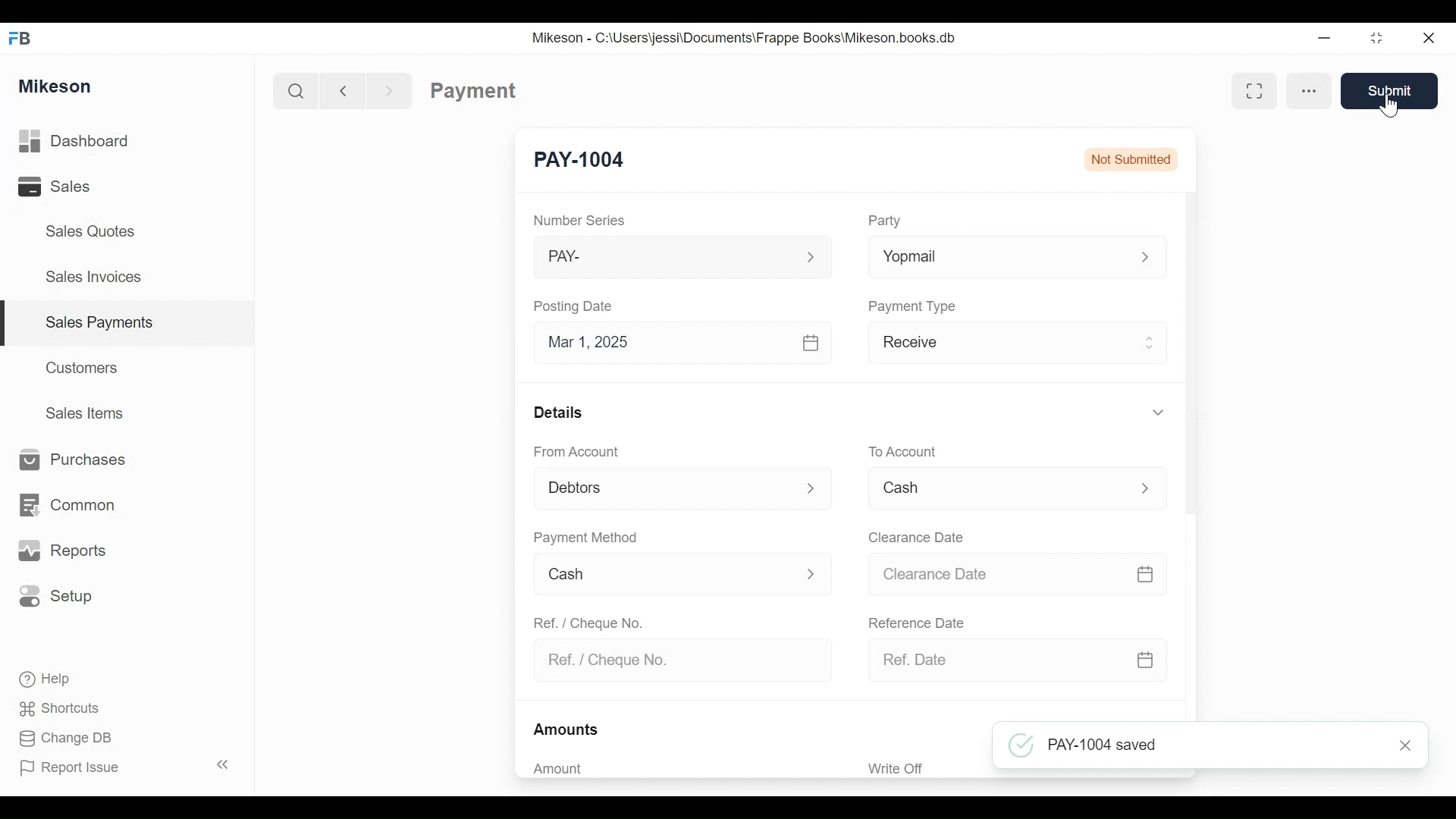  Describe the element at coordinates (56, 84) in the screenshot. I see `Mikeson` at that location.